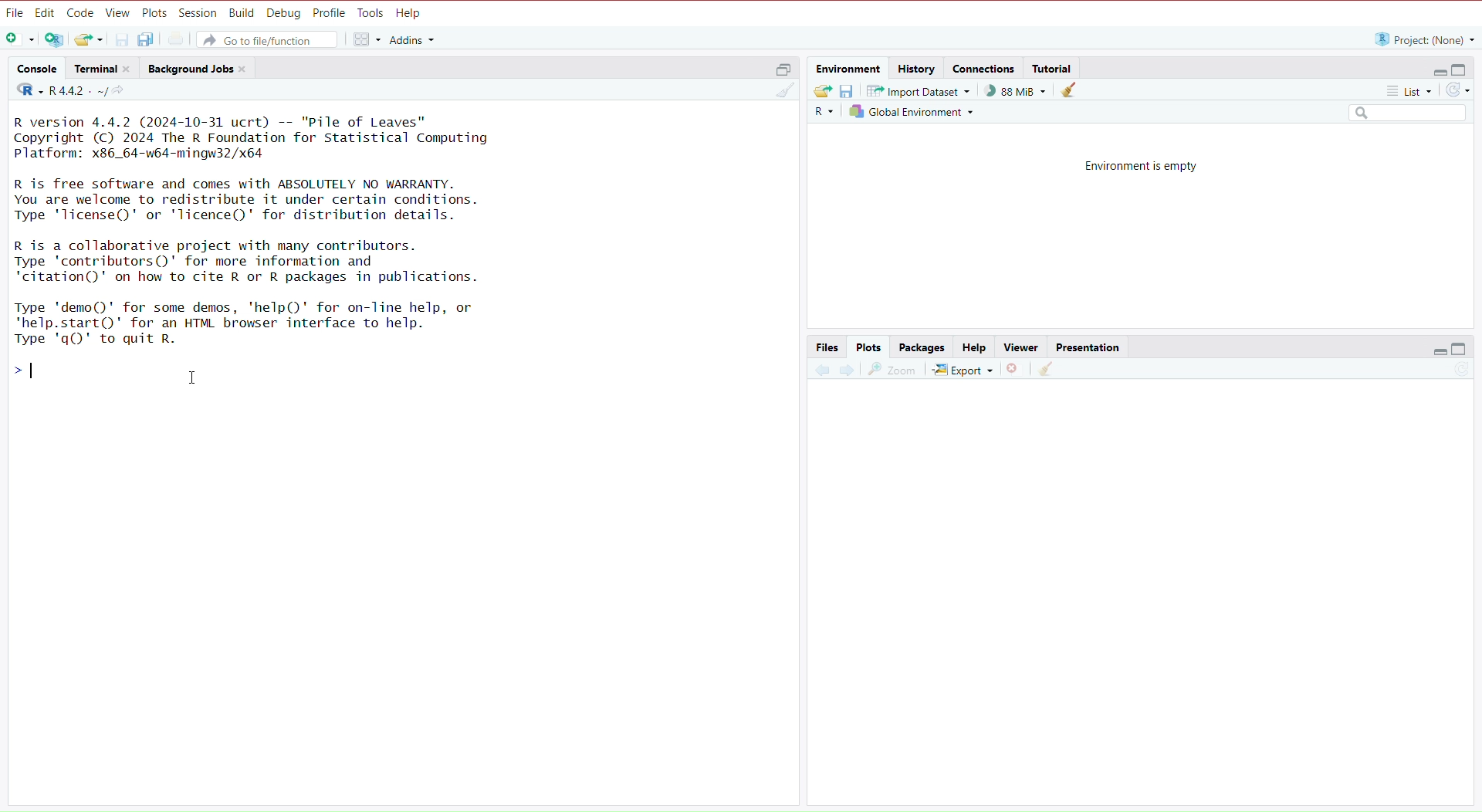 The height and width of the screenshot is (812, 1482). What do you see at coordinates (36, 67) in the screenshot?
I see `‘Console` at bounding box center [36, 67].